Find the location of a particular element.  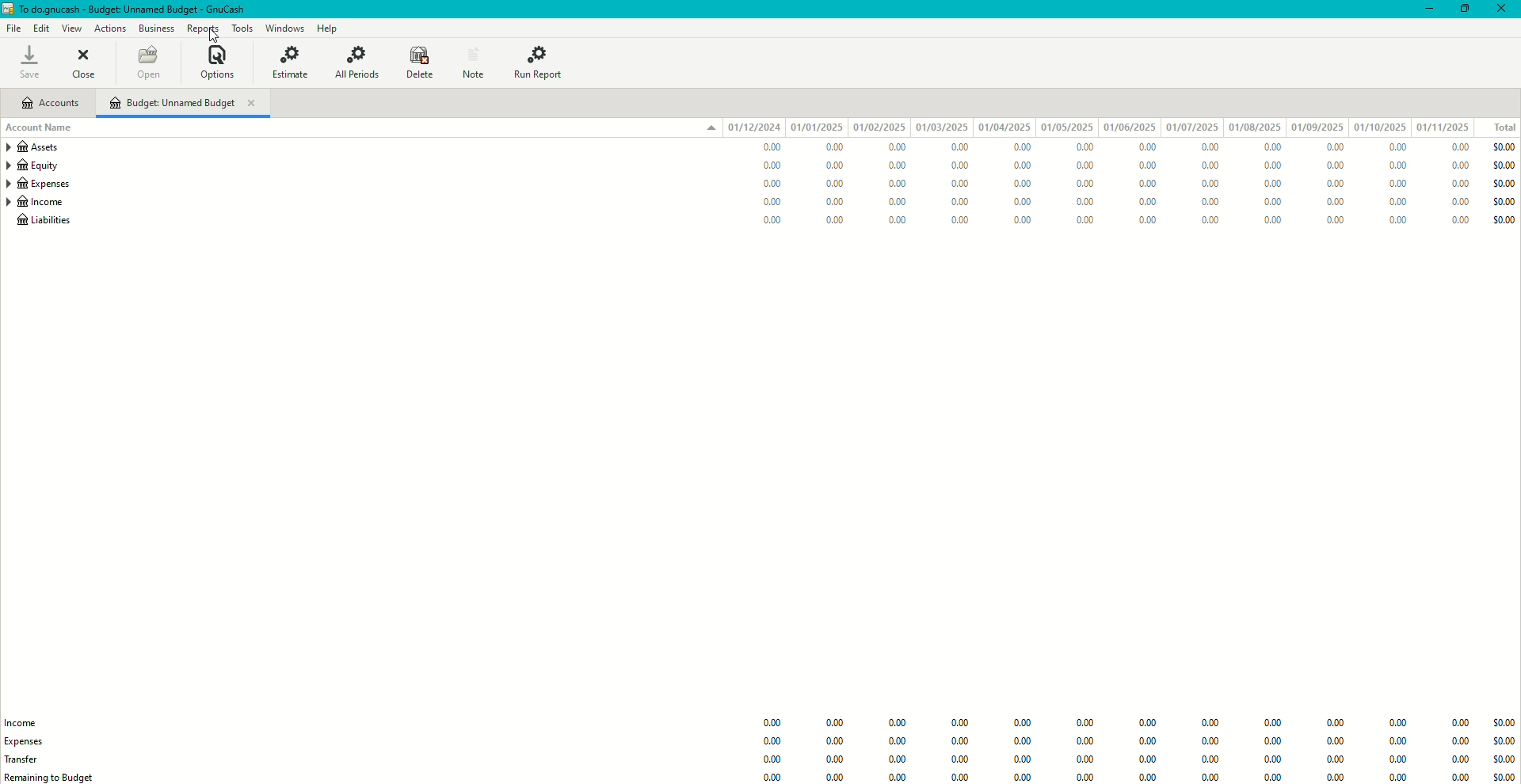

01/02/2025 is located at coordinates (879, 127).